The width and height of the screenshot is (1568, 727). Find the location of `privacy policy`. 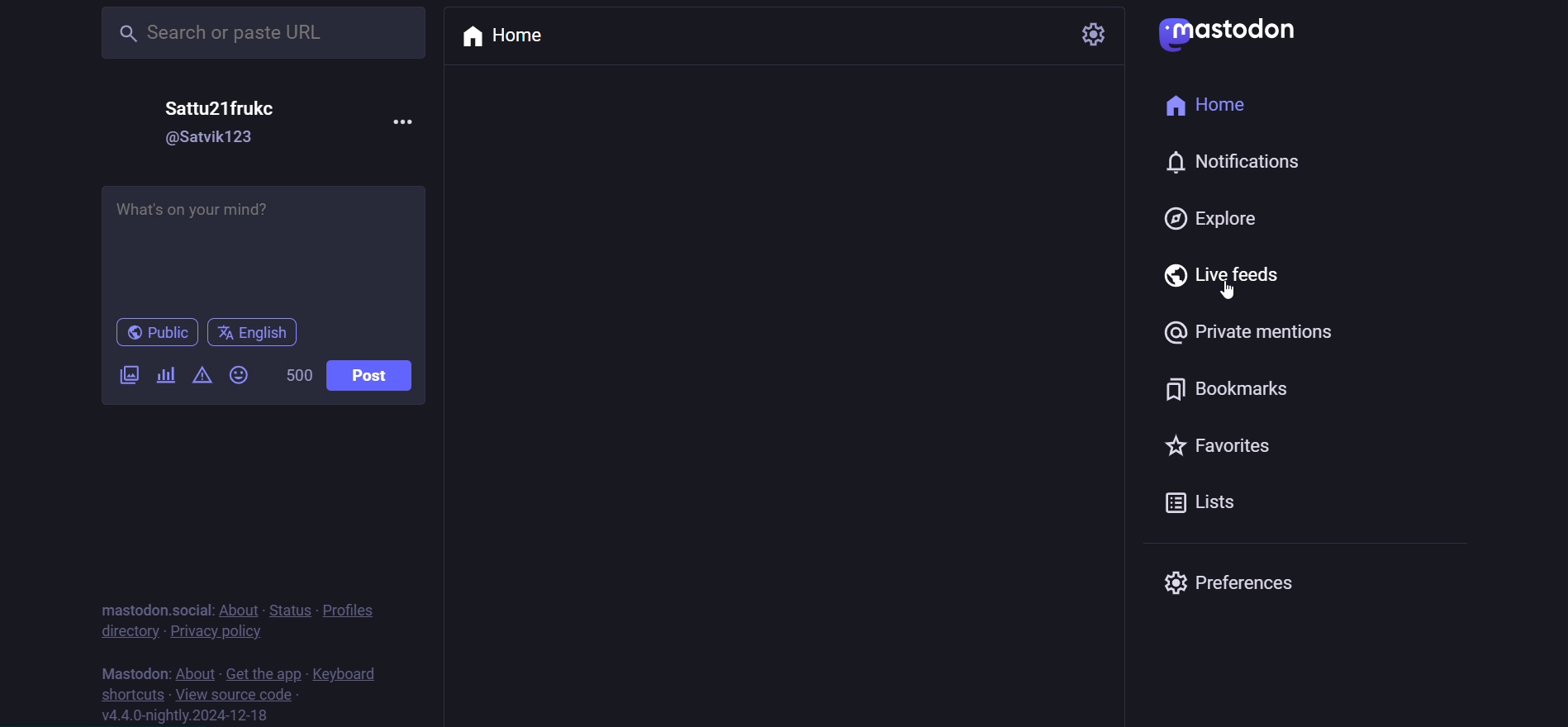

privacy policy is located at coordinates (216, 634).